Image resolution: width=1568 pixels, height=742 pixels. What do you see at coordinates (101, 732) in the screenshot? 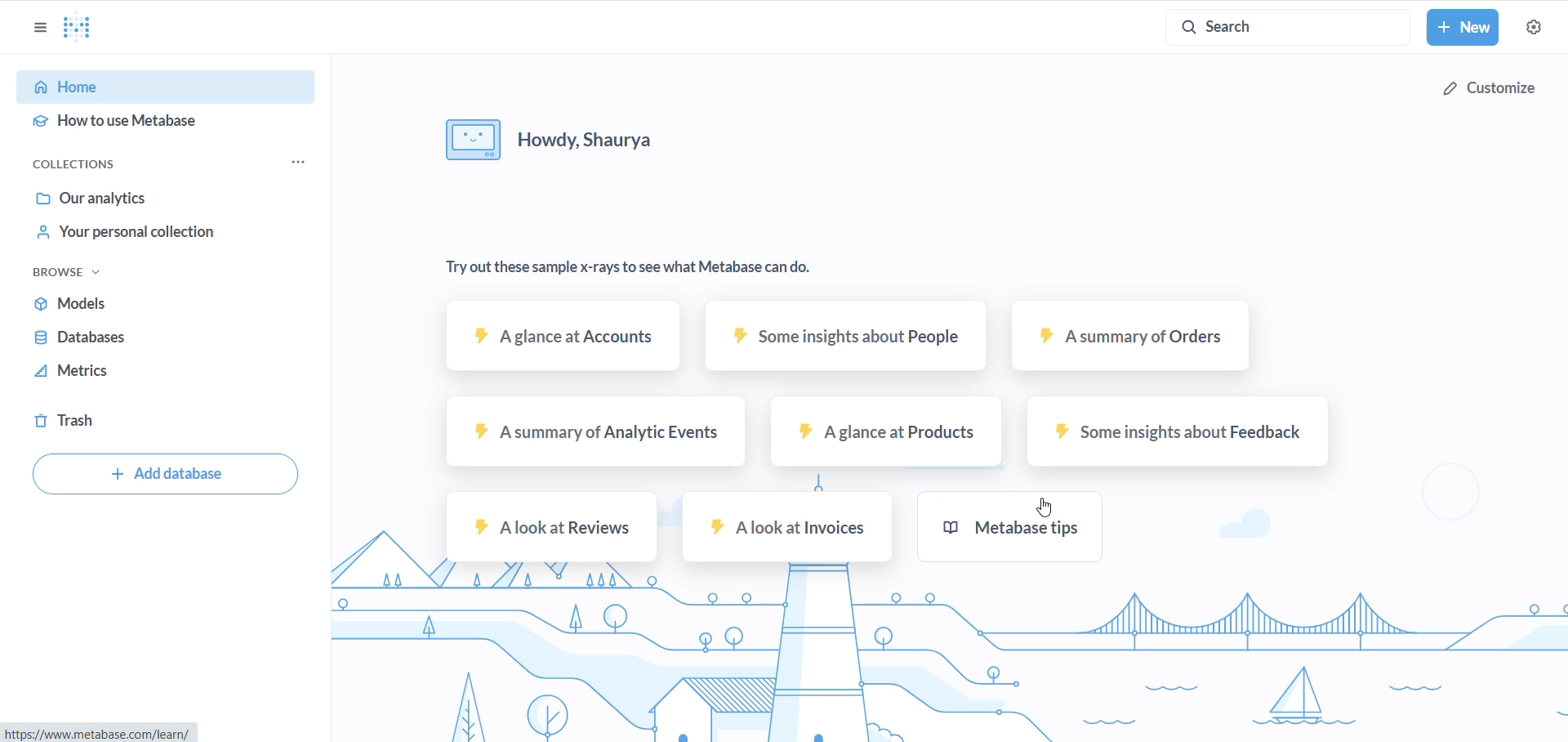
I see `localhost` at bounding box center [101, 732].